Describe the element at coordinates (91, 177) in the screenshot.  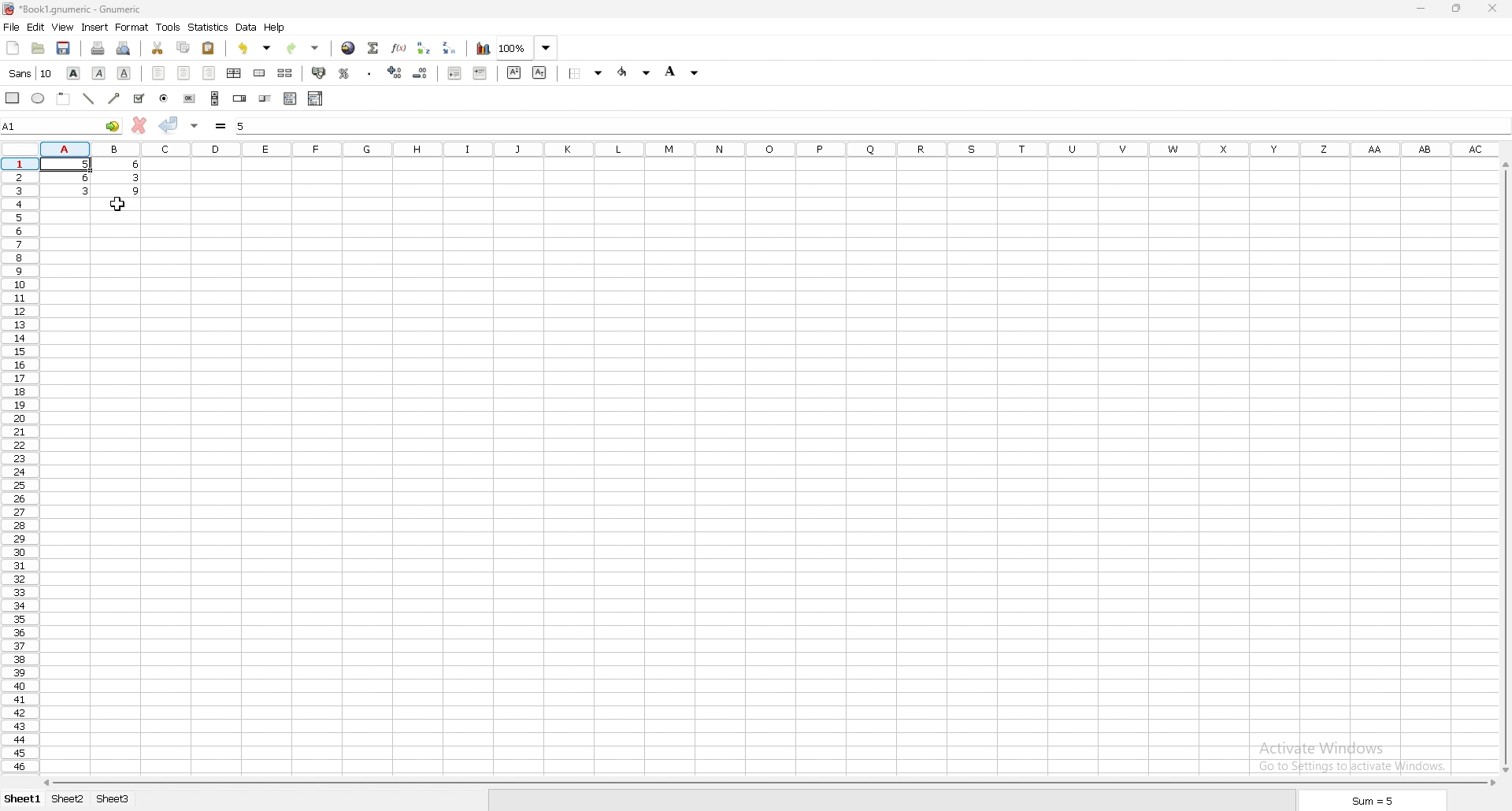
I see `data` at that location.